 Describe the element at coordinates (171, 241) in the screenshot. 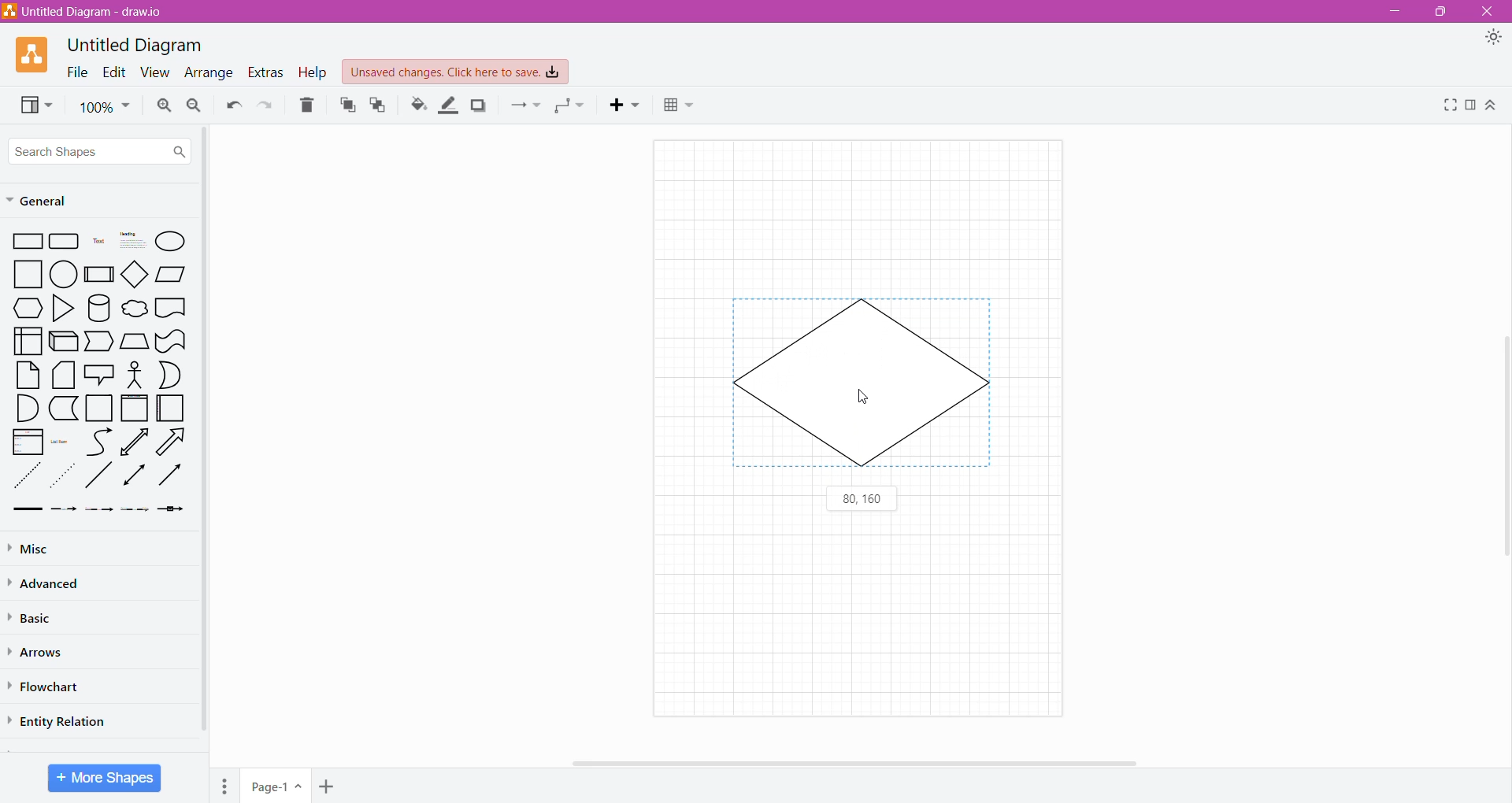

I see `Ellipse` at that location.